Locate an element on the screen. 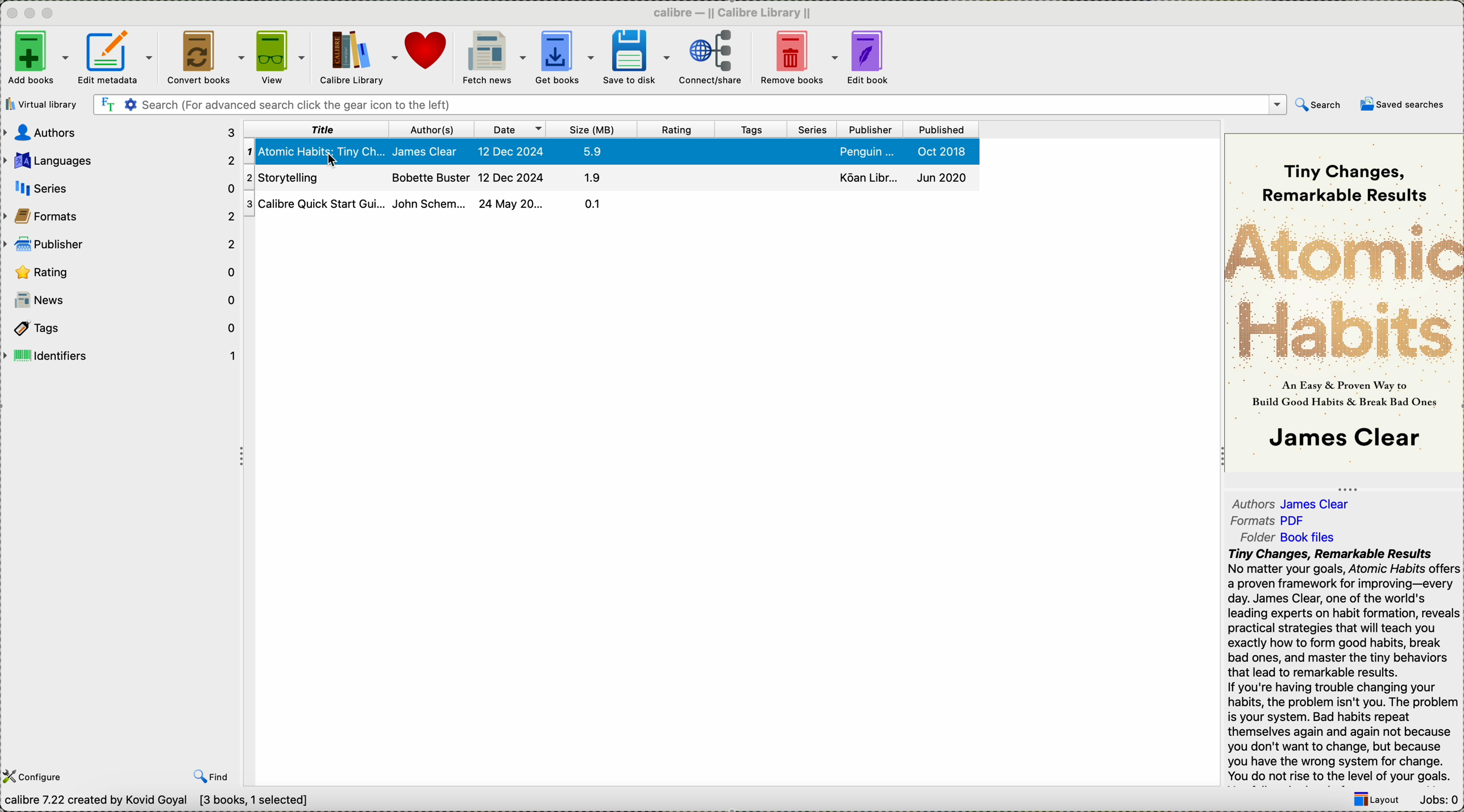 This screenshot has height=812, width=1464. second book is located at coordinates (608, 177).